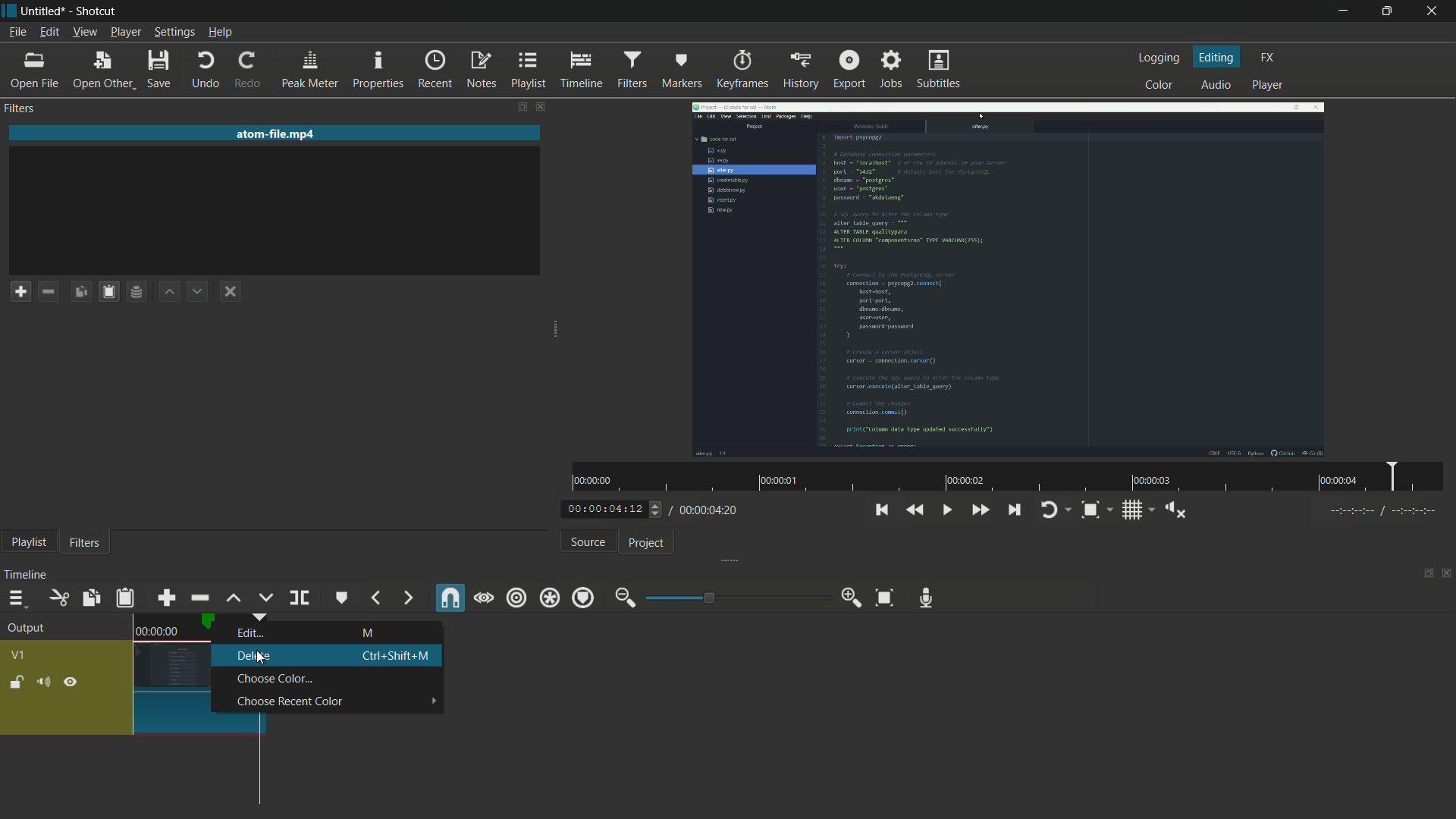  Describe the element at coordinates (891, 69) in the screenshot. I see `jobs` at that location.